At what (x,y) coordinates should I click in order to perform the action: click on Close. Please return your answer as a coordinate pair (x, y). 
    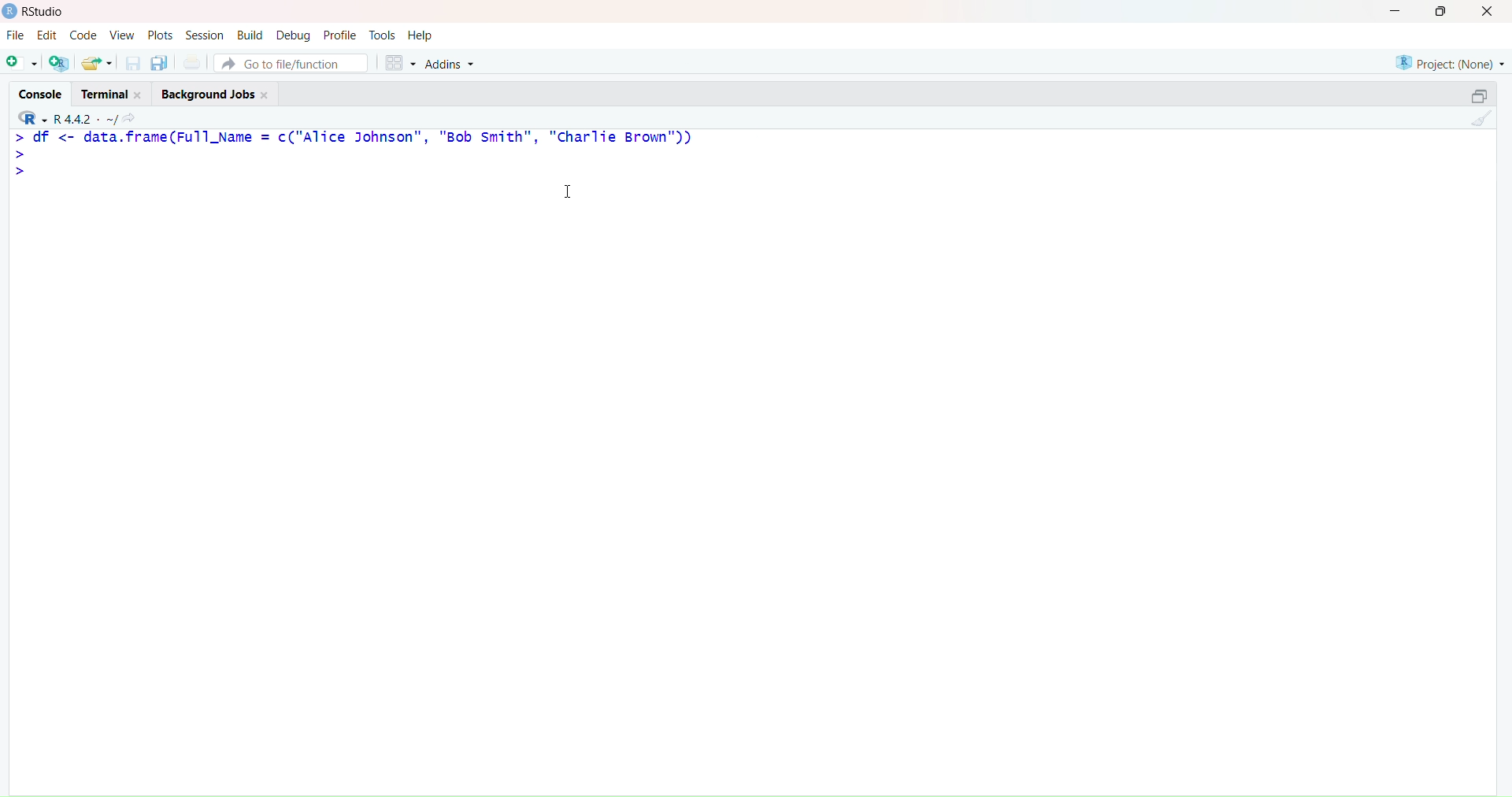
    Looking at the image, I should click on (1490, 13).